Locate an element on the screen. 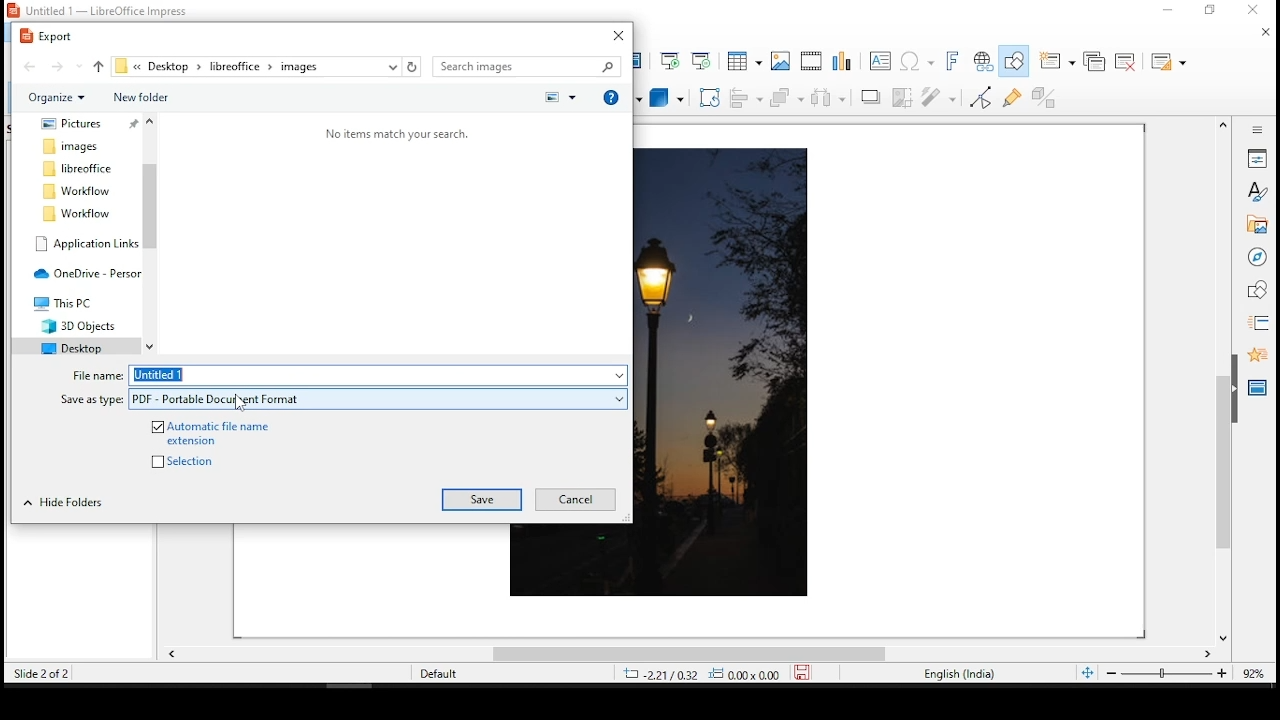 Image resolution: width=1280 pixels, height=720 pixels. text box is located at coordinates (879, 62).